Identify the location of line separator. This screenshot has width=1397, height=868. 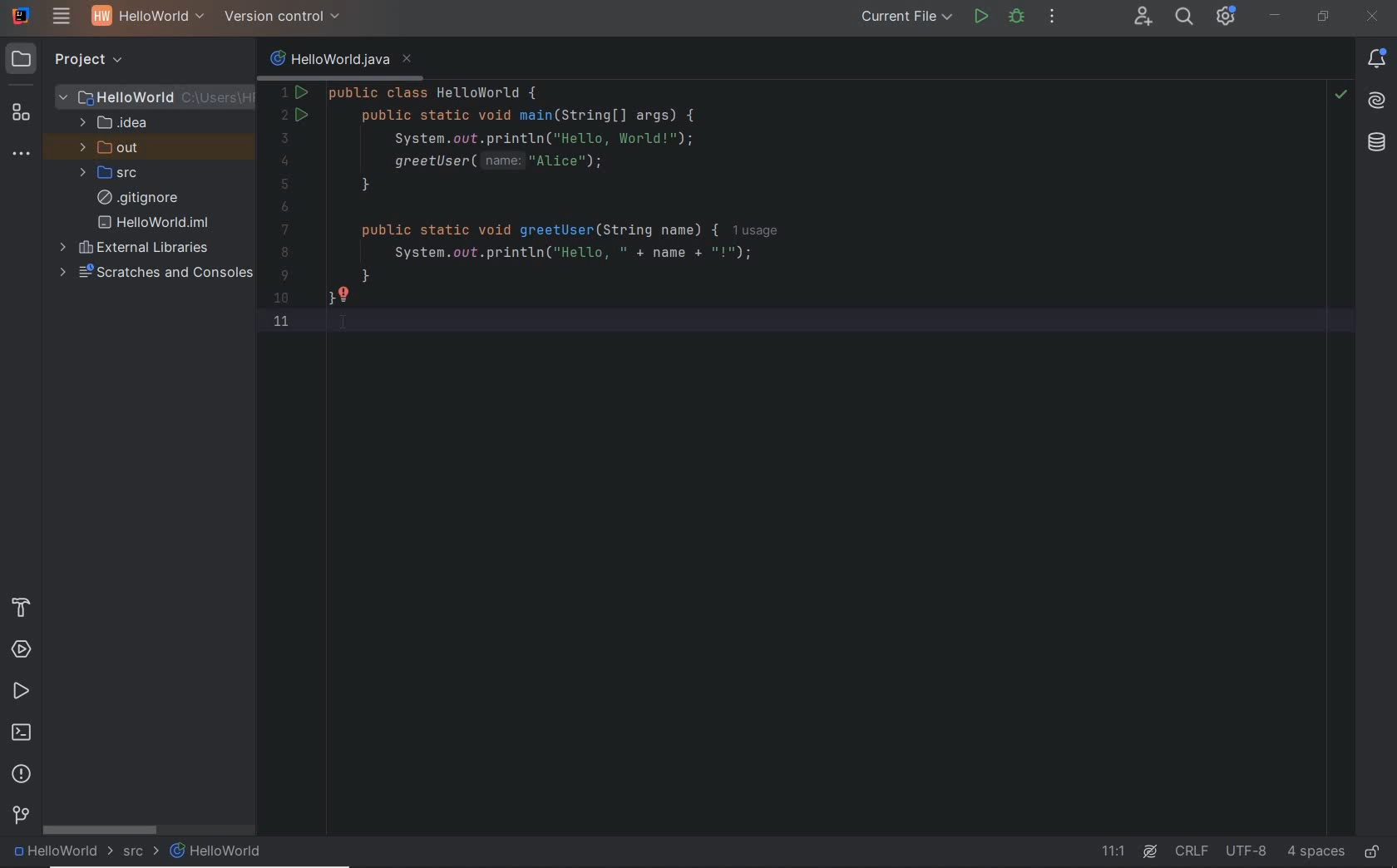
(1194, 851).